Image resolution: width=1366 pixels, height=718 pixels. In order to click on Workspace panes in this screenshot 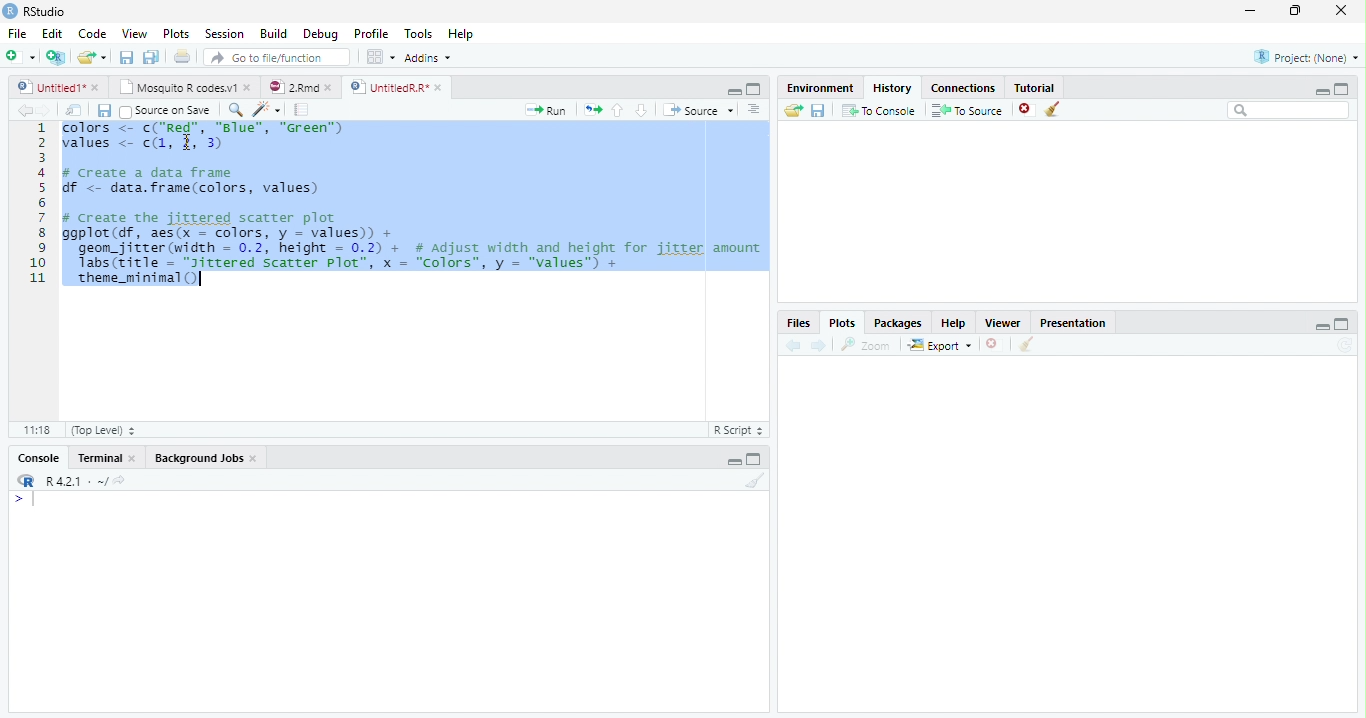, I will do `click(381, 58)`.